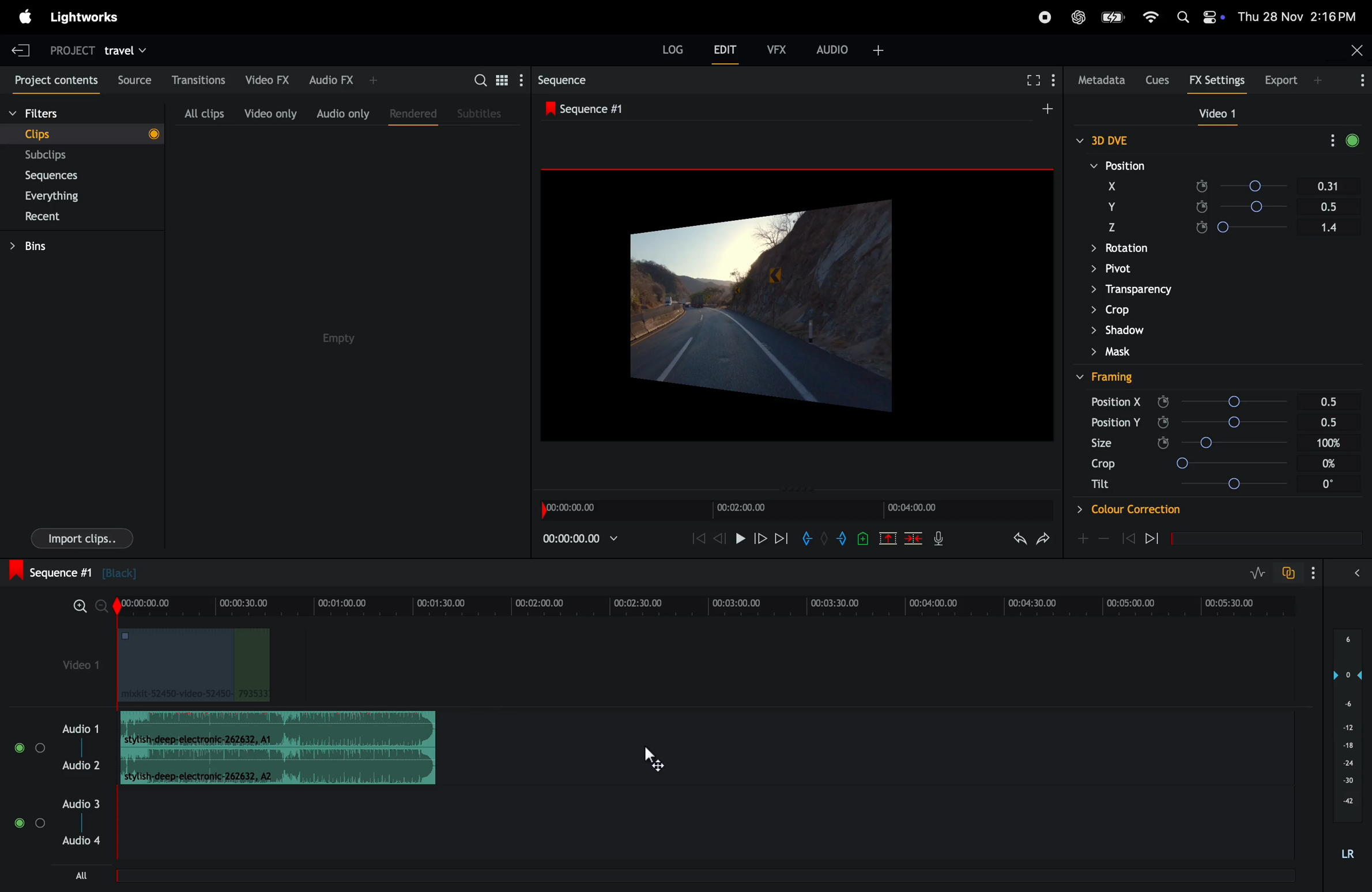 This screenshot has height=892, width=1372. What do you see at coordinates (61, 114) in the screenshot?
I see `filters` at bounding box center [61, 114].